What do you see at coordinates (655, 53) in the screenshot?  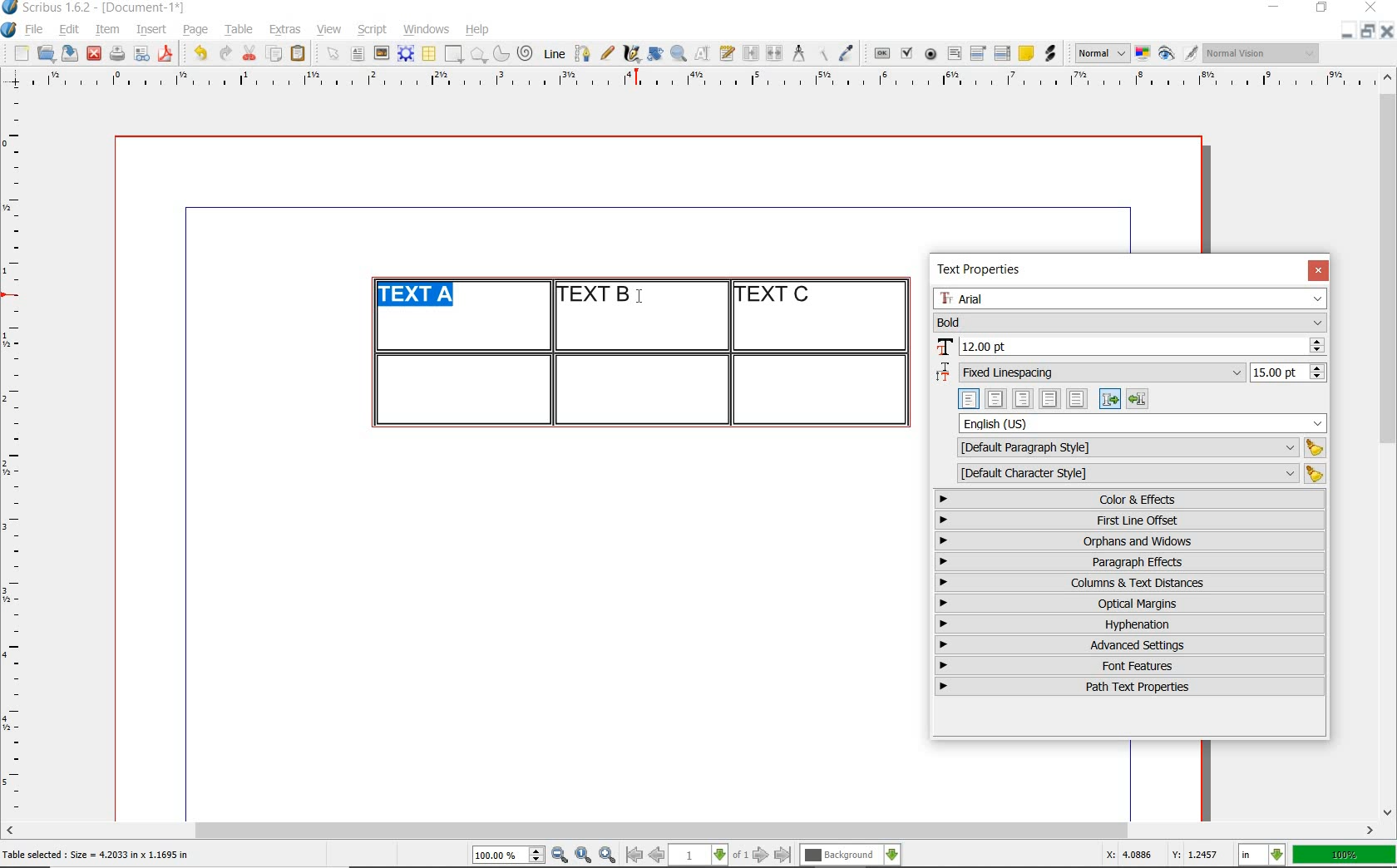 I see `rotate item` at bounding box center [655, 53].